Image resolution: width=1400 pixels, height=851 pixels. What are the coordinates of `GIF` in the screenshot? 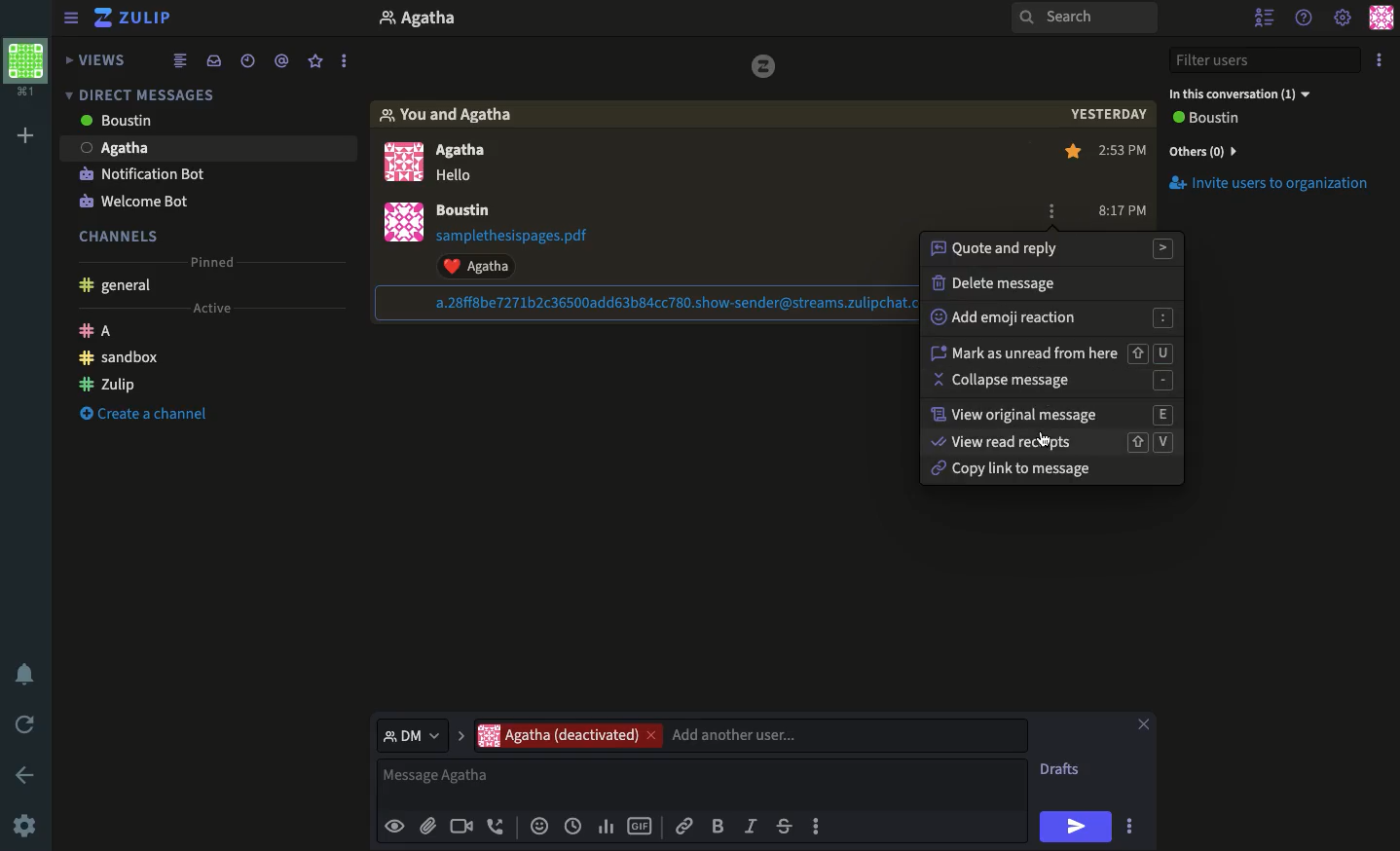 It's located at (640, 828).